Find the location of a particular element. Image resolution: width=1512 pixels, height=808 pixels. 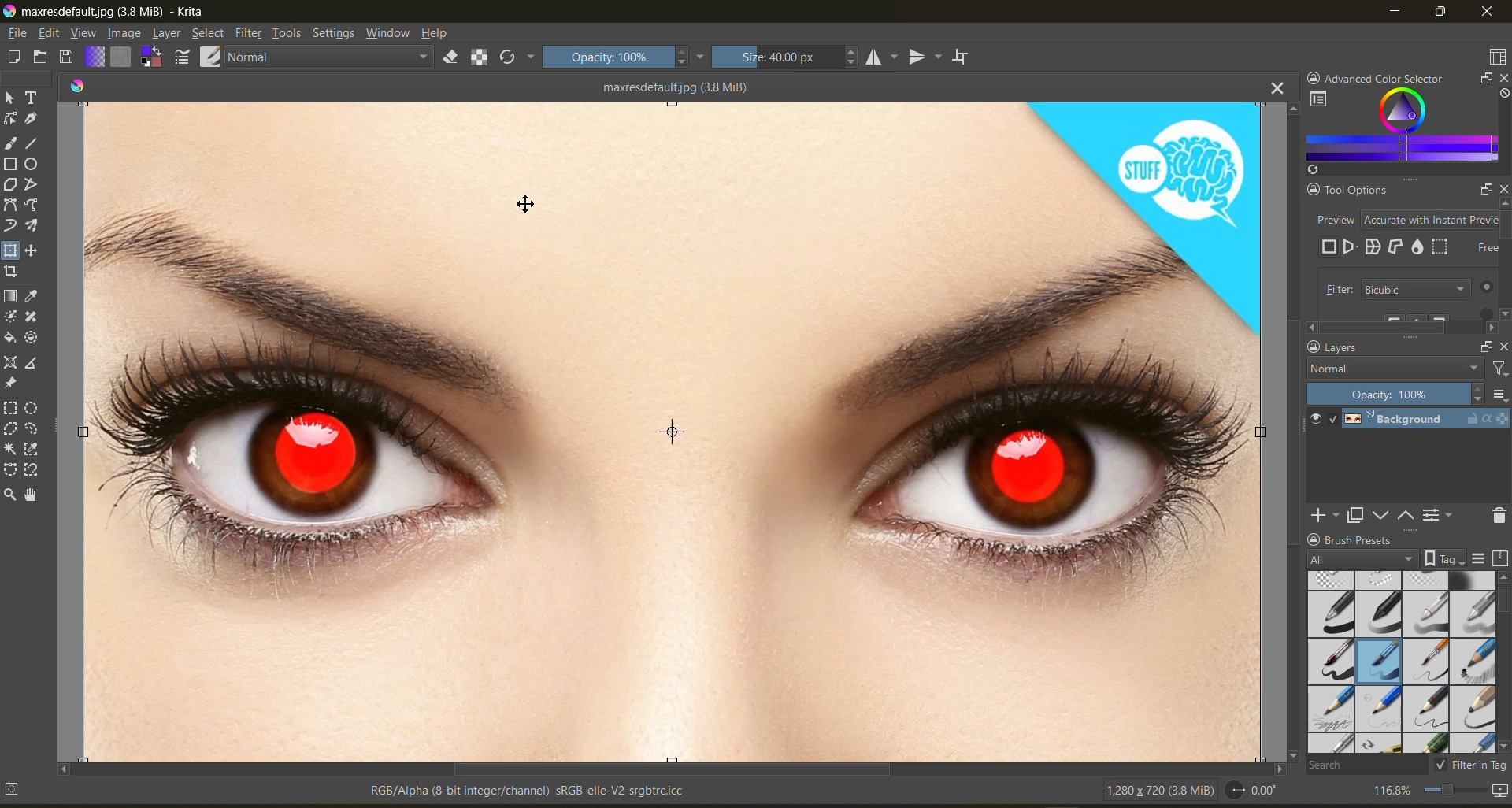

fill patterns is located at coordinates (123, 57).